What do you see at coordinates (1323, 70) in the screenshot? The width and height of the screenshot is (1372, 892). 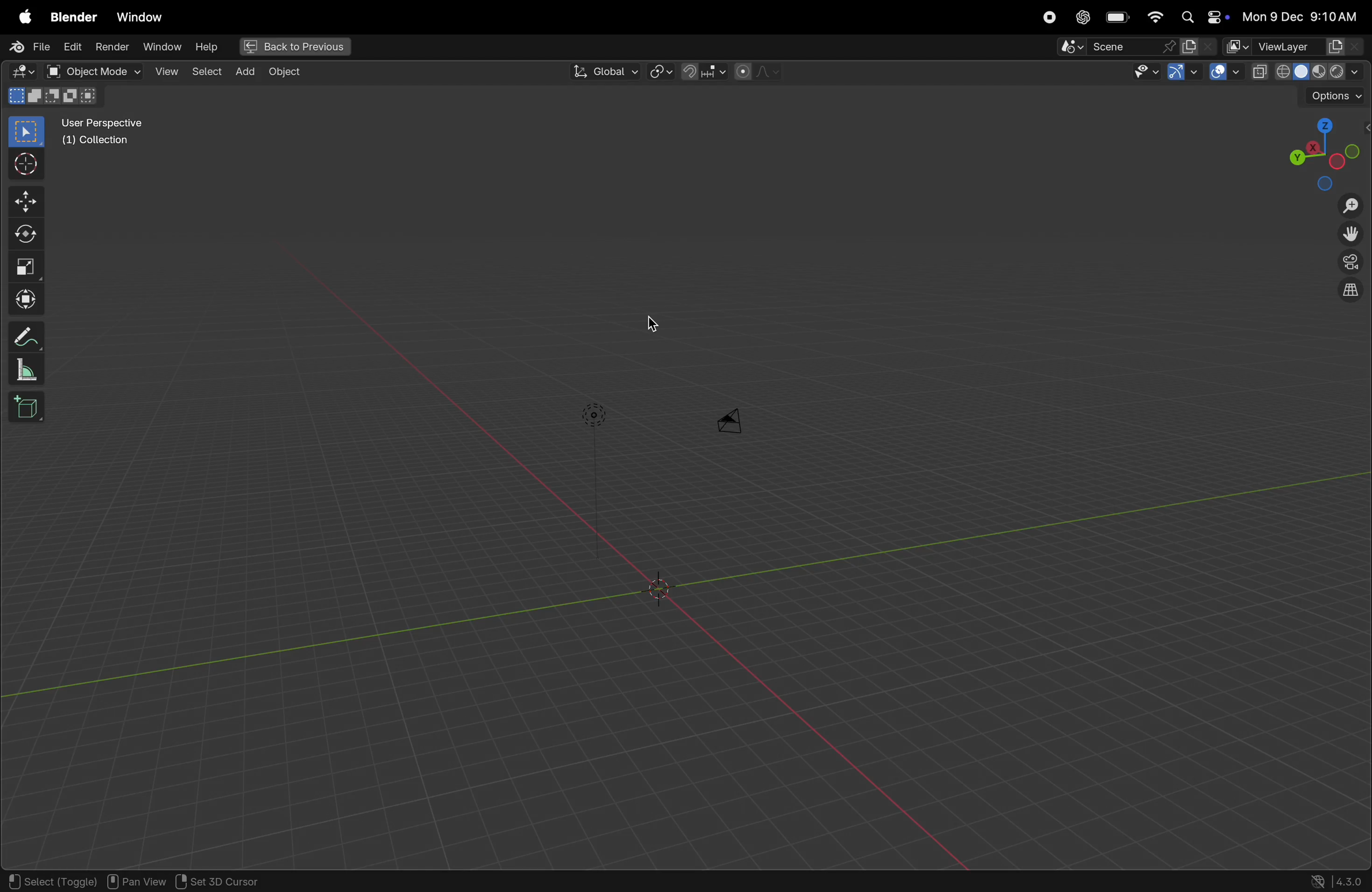 I see `view shading` at bounding box center [1323, 70].